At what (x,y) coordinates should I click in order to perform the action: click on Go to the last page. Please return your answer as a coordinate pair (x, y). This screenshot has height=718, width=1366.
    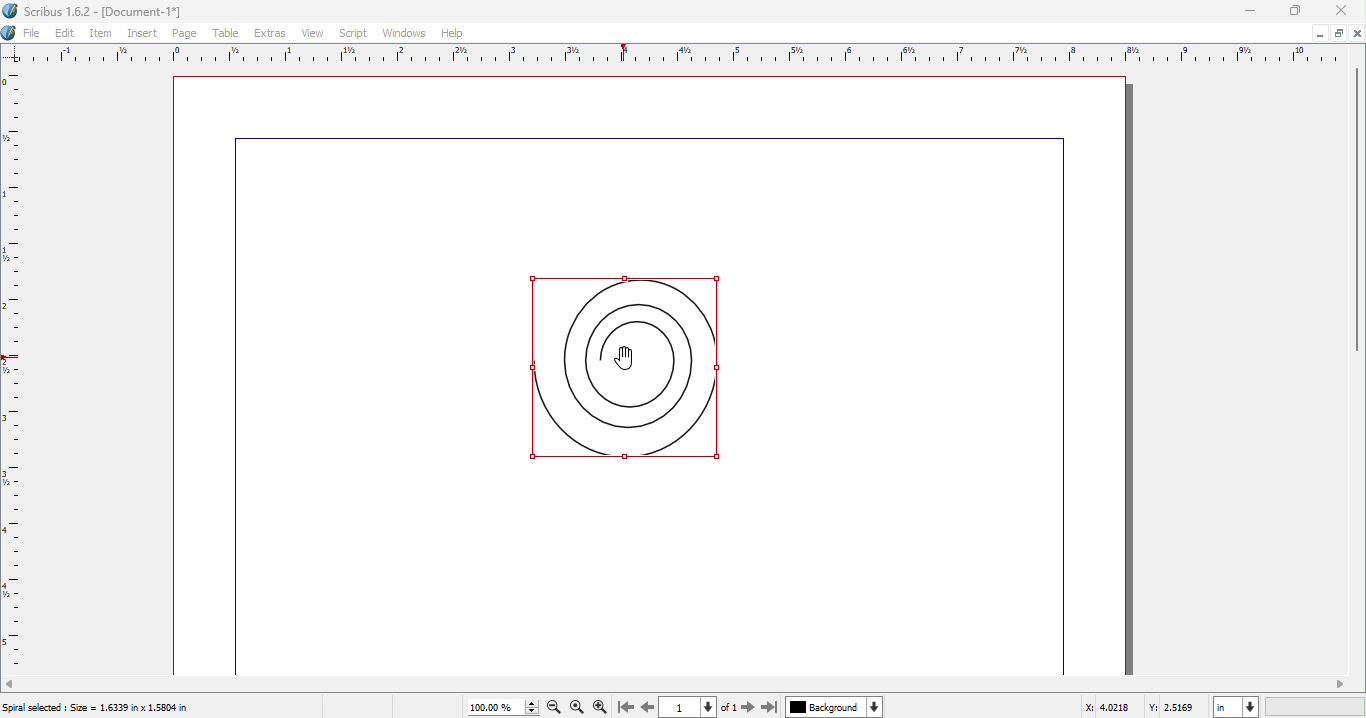
    Looking at the image, I should click on (769, 707).